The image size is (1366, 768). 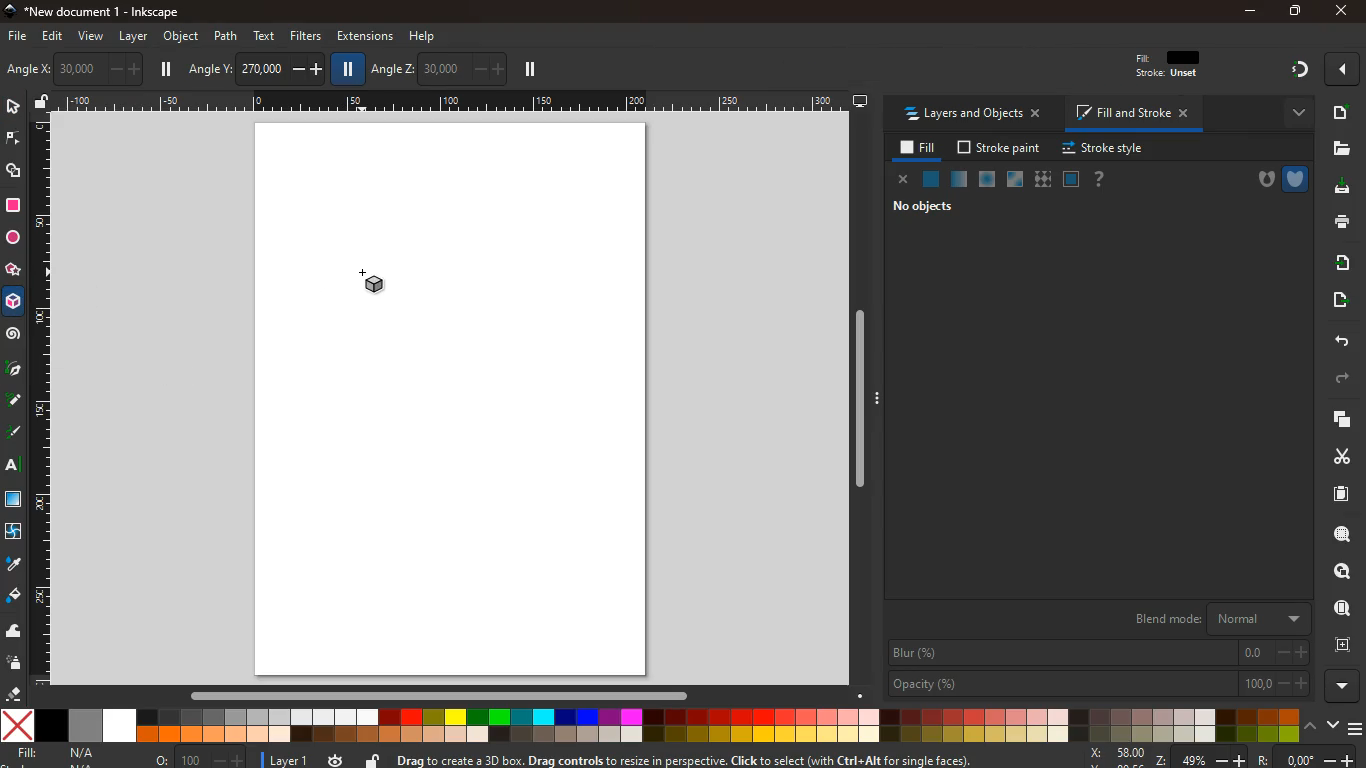 I want to click on file, so click(x=16, y=35).